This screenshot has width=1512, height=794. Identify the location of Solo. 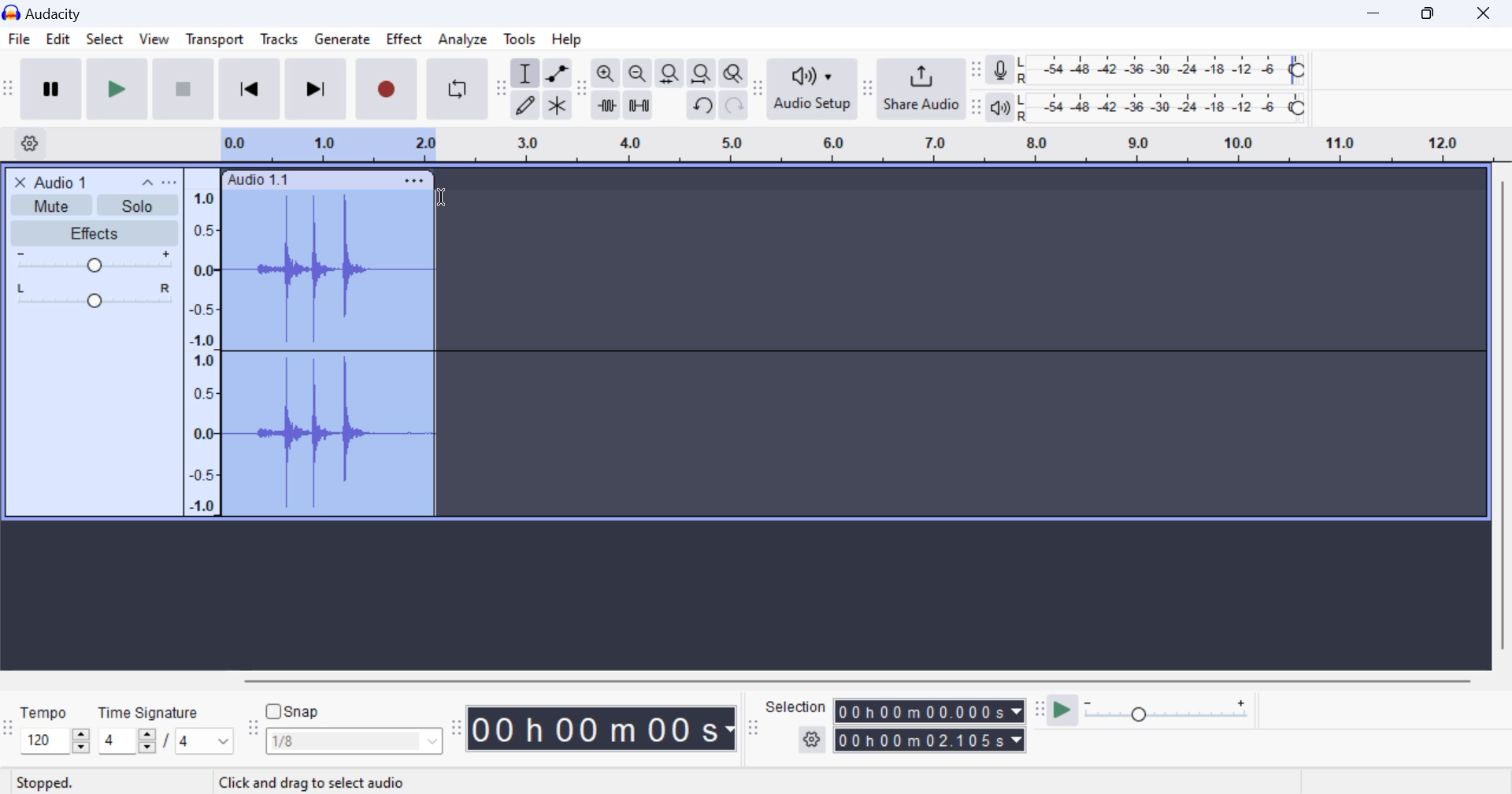
(139, 206).